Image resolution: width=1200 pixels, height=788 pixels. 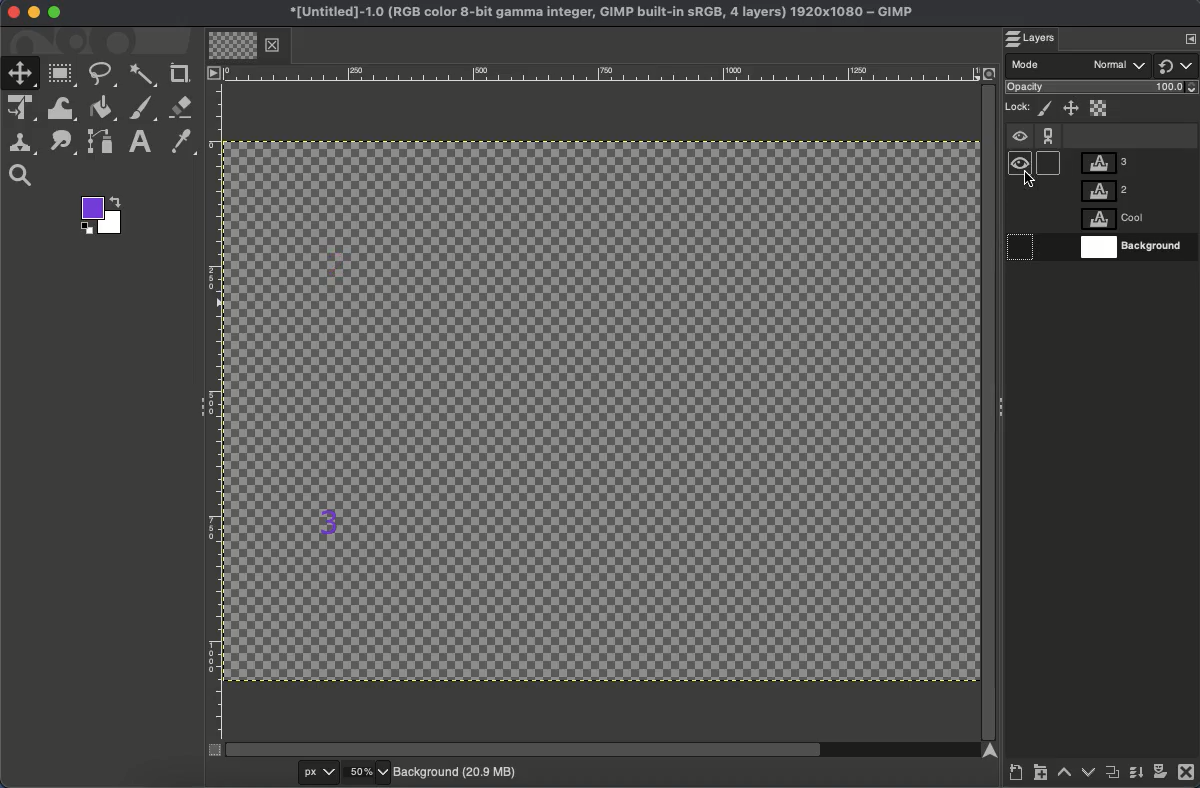 I want to click on Move tool, so click(x=21, y=72).